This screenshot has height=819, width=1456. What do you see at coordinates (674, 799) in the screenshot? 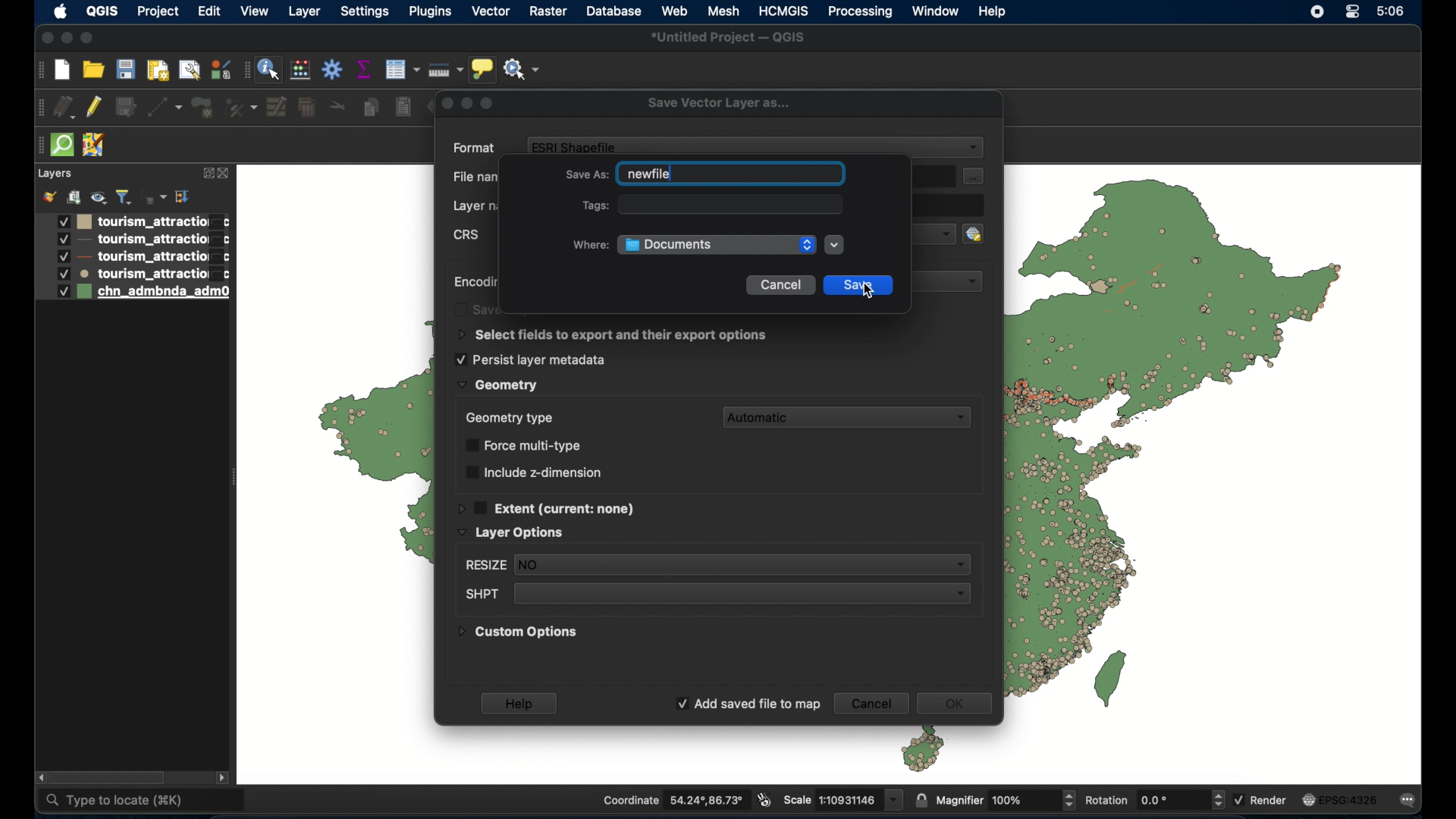
I see `coordinate` at bounding box center [674, 799].